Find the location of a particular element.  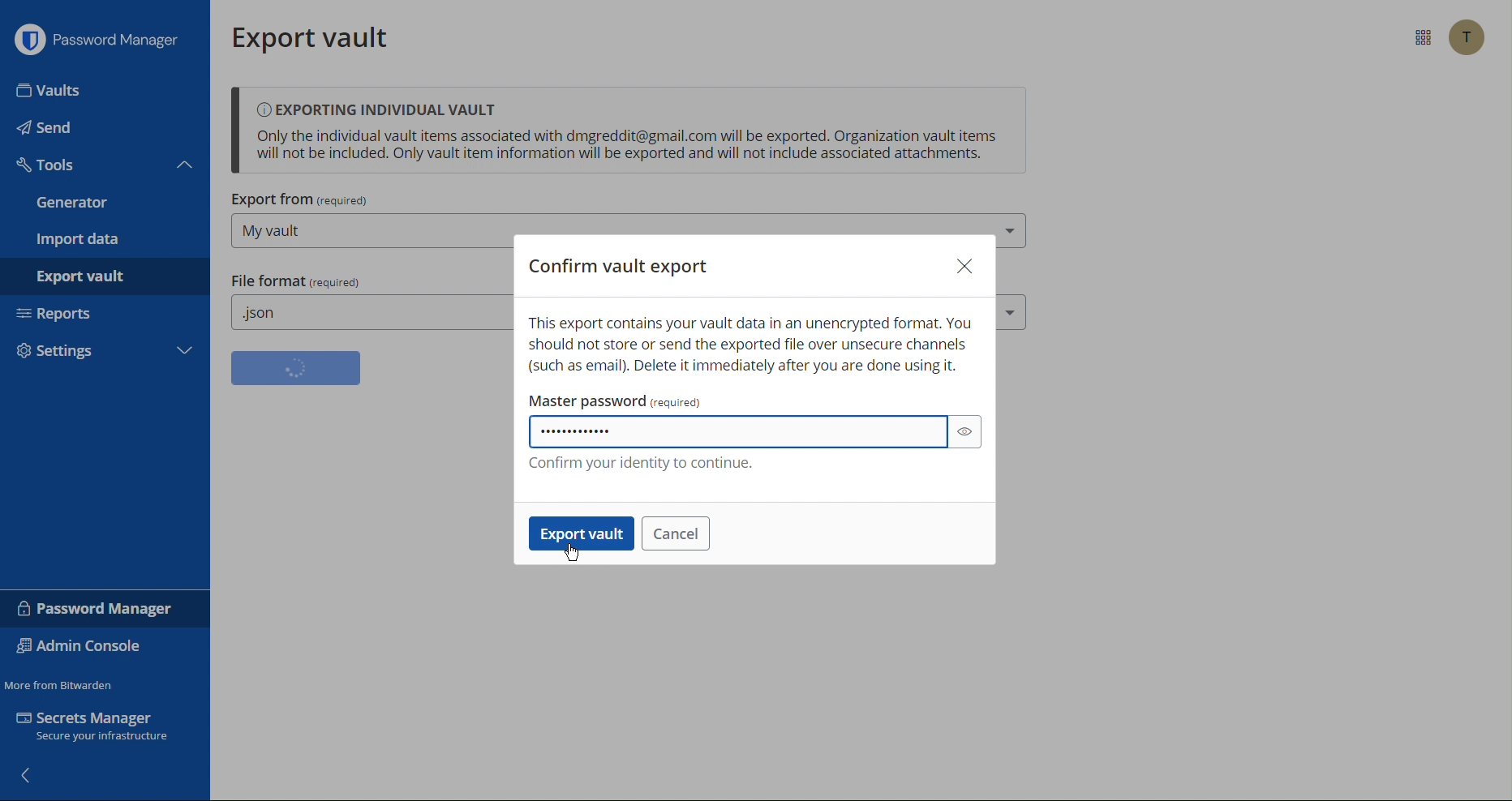

Account is located at coordinates (1465, 38).